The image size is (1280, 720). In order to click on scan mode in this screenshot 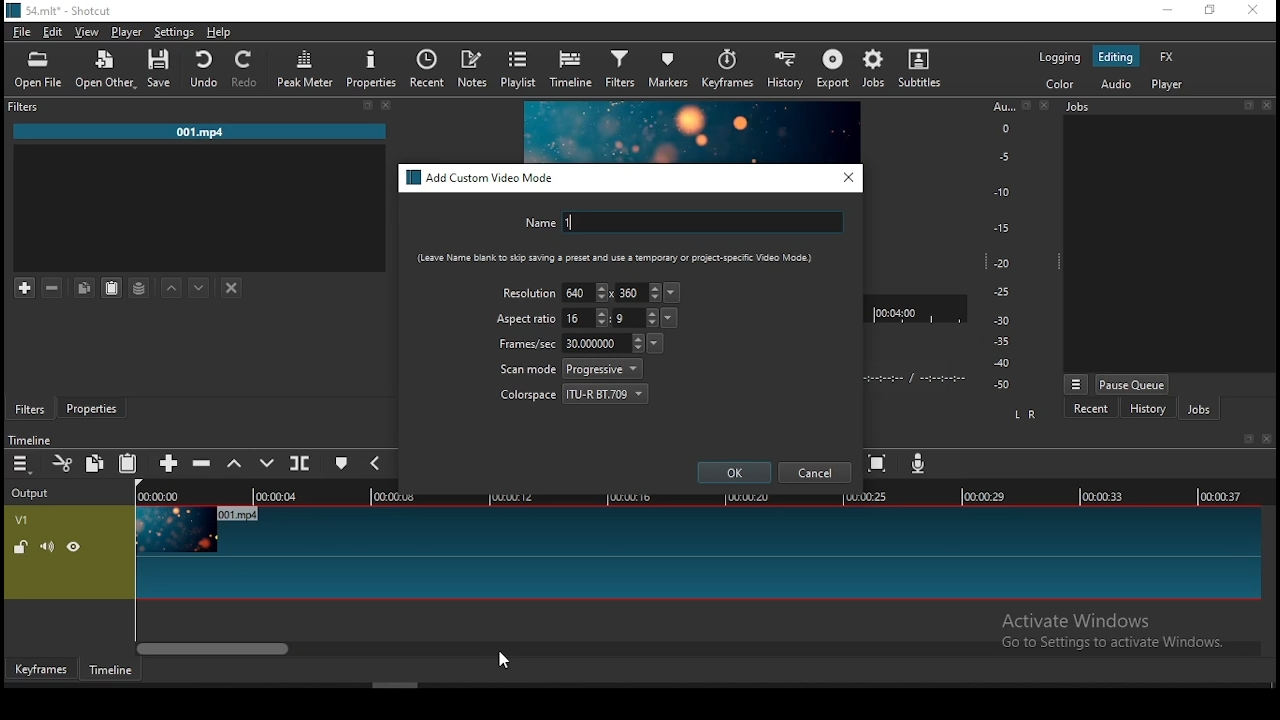, I will do `click(571, 369)`.